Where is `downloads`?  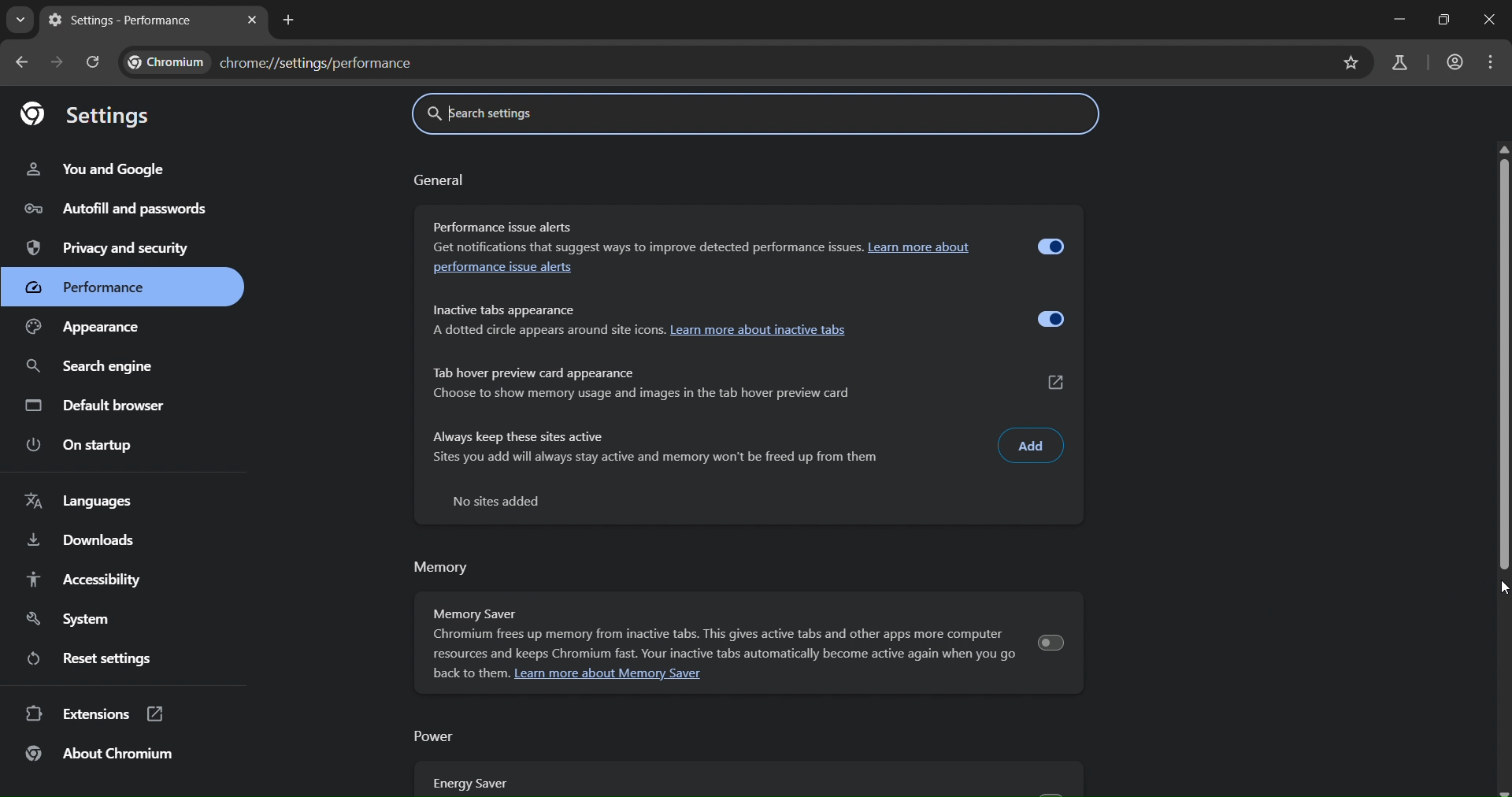 downloads is located at coordinates (86, 539).